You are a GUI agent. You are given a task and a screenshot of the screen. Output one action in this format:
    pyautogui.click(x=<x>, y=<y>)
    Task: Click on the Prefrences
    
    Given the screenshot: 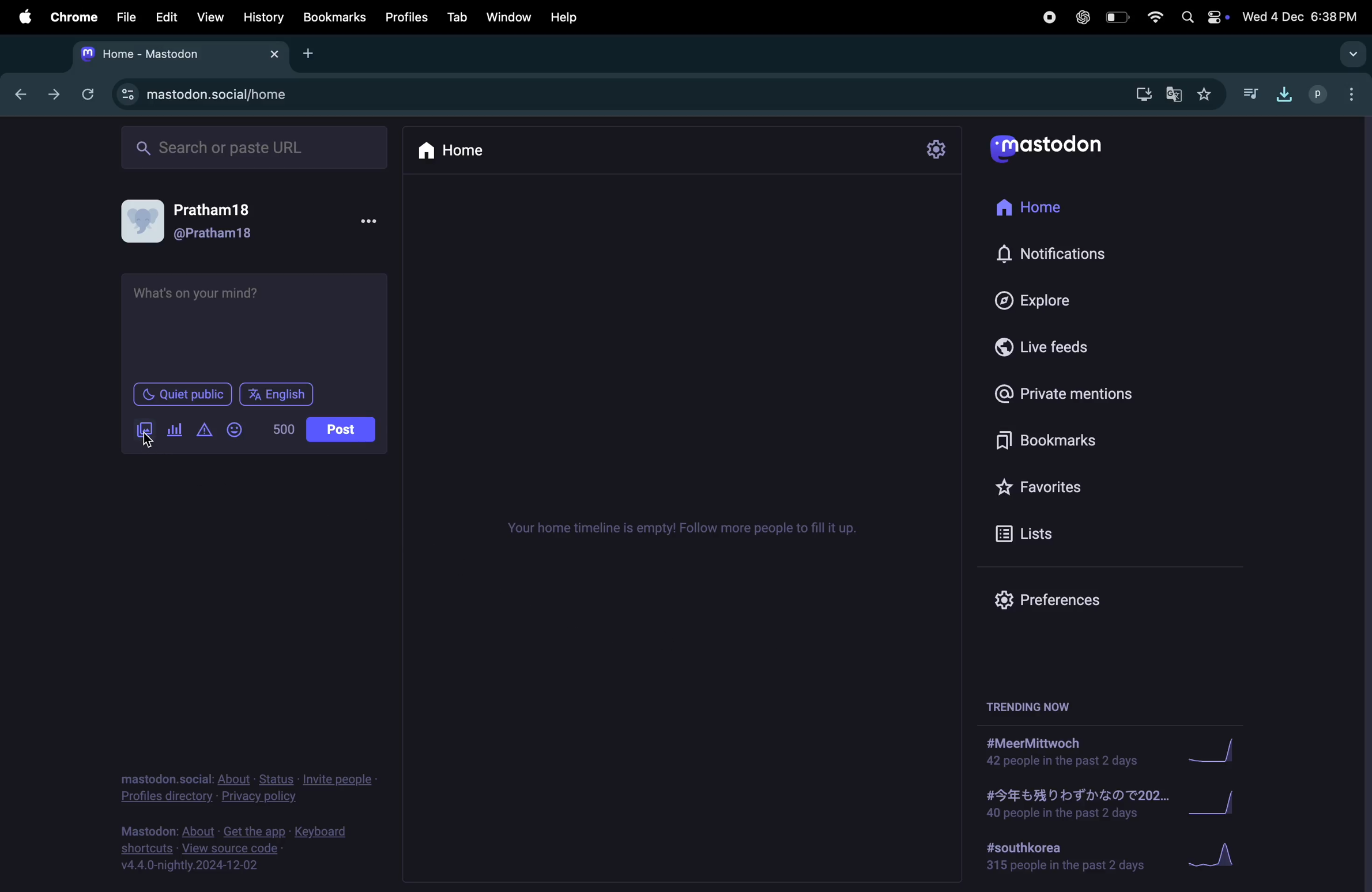 What is the action you would take?
    pyautogui.click(x=1048, y=600)
    